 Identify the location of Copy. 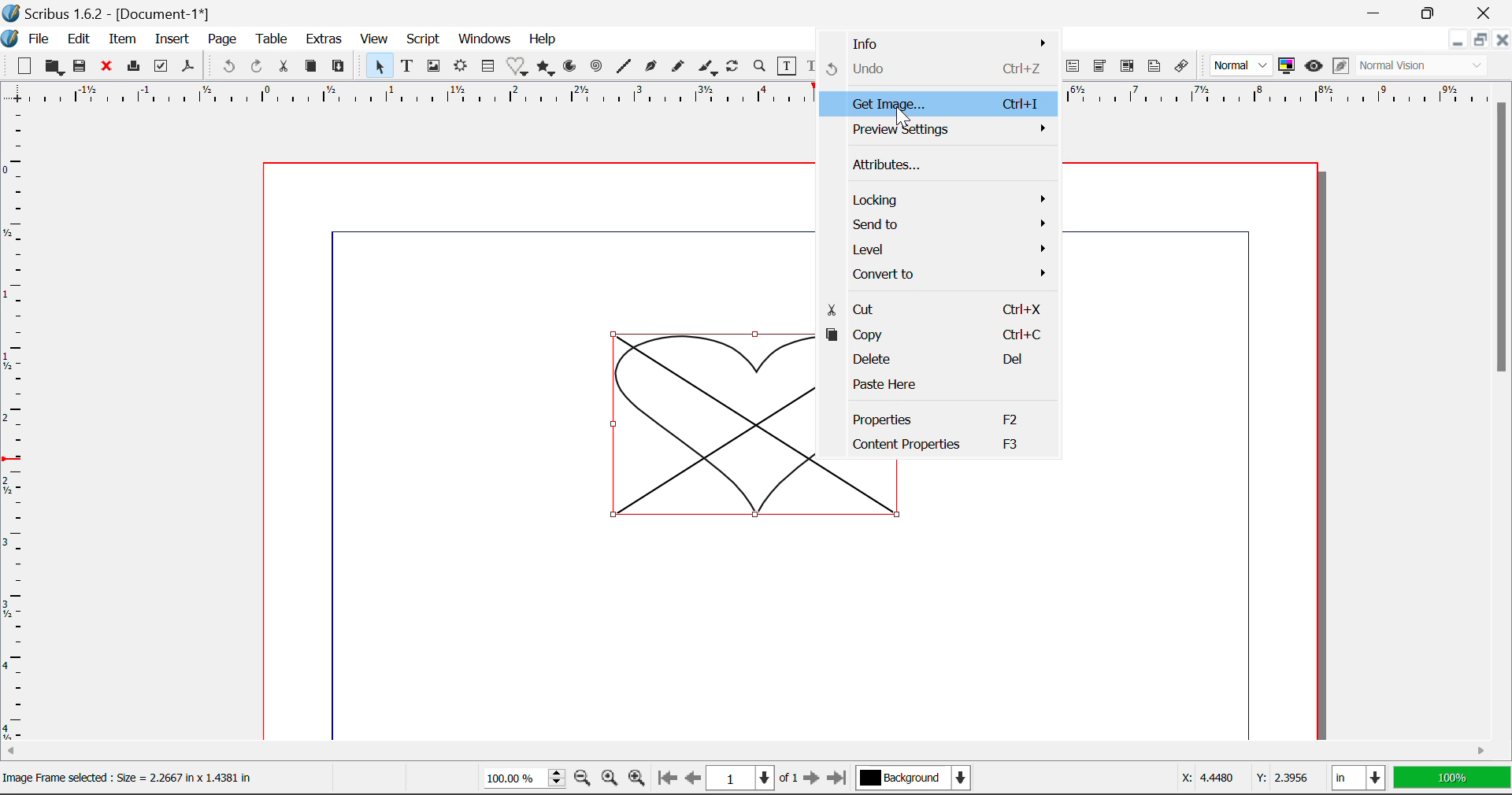
(310, 67).